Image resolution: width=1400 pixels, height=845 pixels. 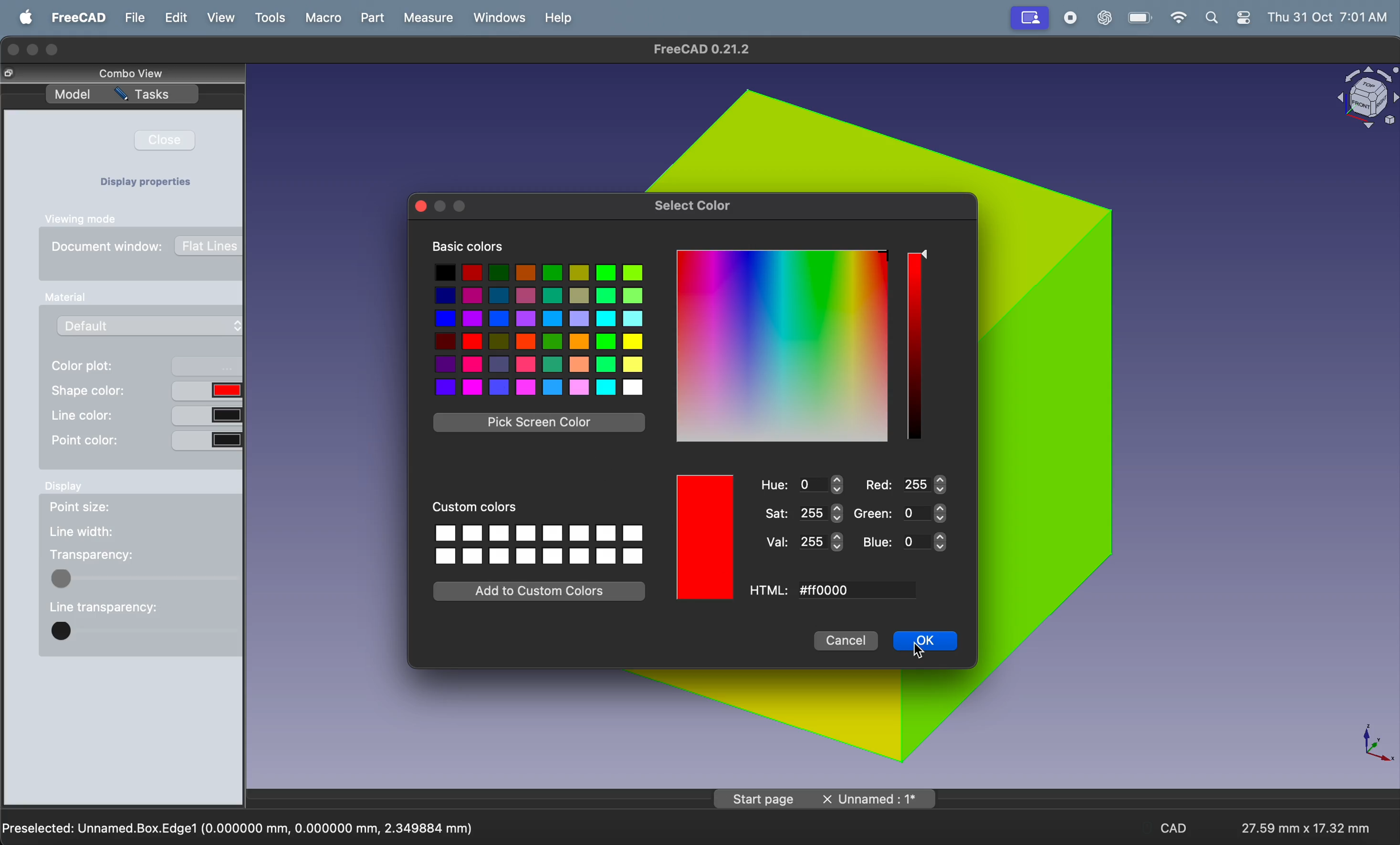 What do you see at coordinates (420, 204) in the screenshot?
I see `close window` at bounding box center [420, 204].